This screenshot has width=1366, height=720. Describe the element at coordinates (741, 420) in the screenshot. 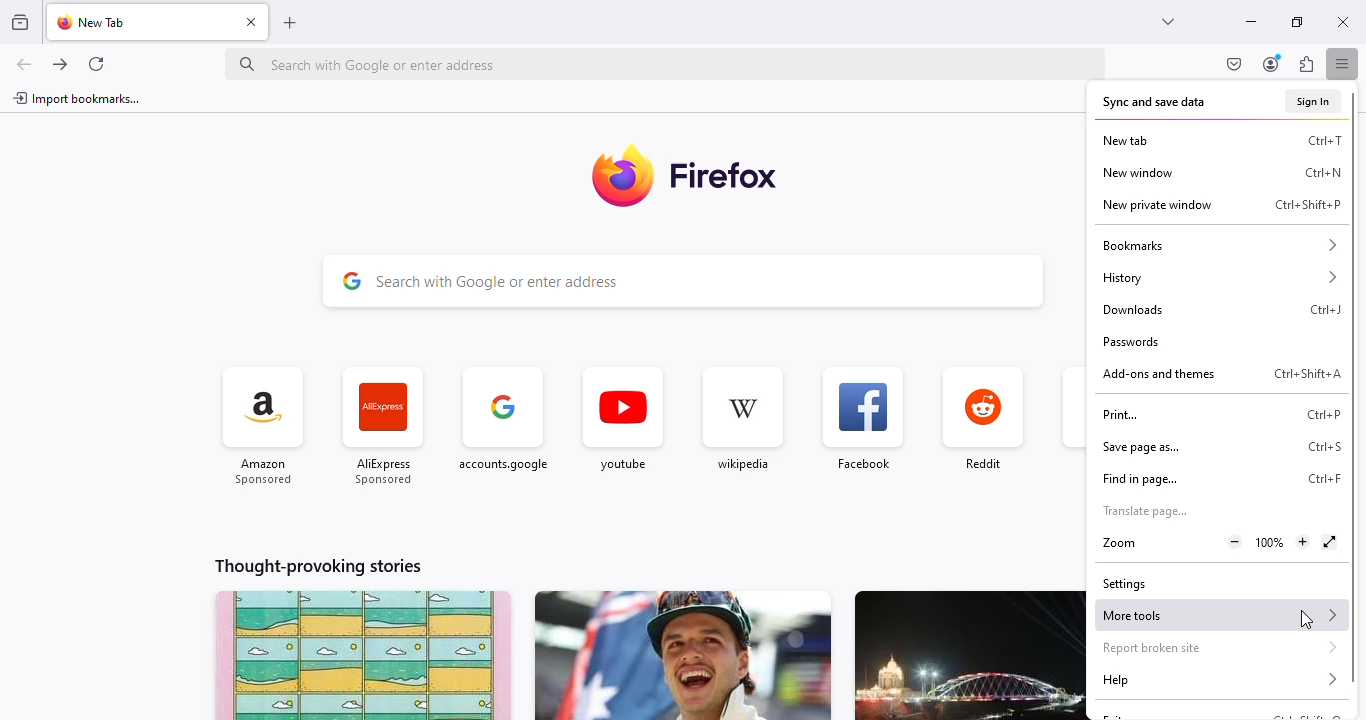

I see `wikipedia` at that location.